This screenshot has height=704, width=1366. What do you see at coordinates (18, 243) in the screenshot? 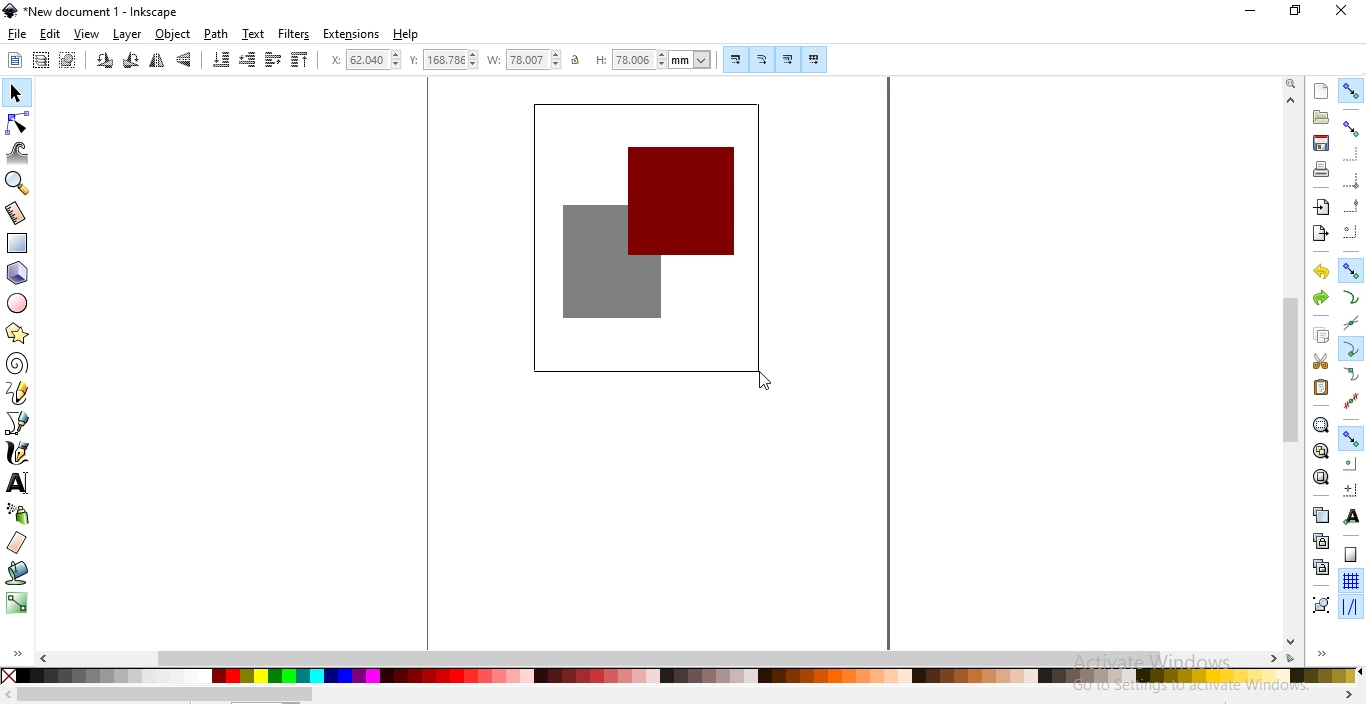
I see `create rectangle and squares` at bounding box center [18, 243].